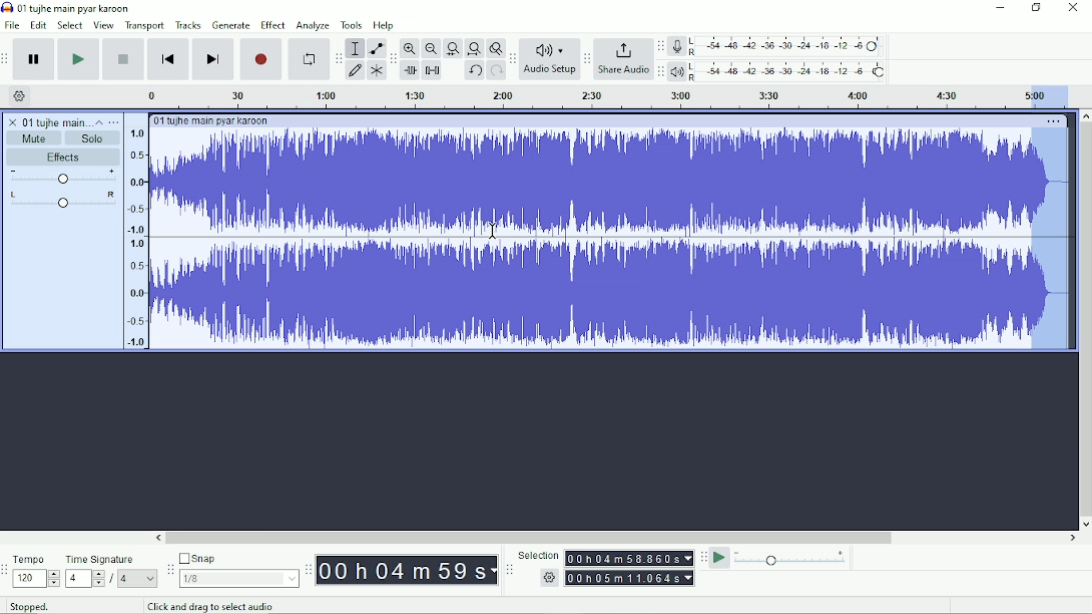 The image size is (1092, 614). What do you see at coordinates (496, 69) in the screenshot?
I see `Redo` at bounding box center [496, 69].